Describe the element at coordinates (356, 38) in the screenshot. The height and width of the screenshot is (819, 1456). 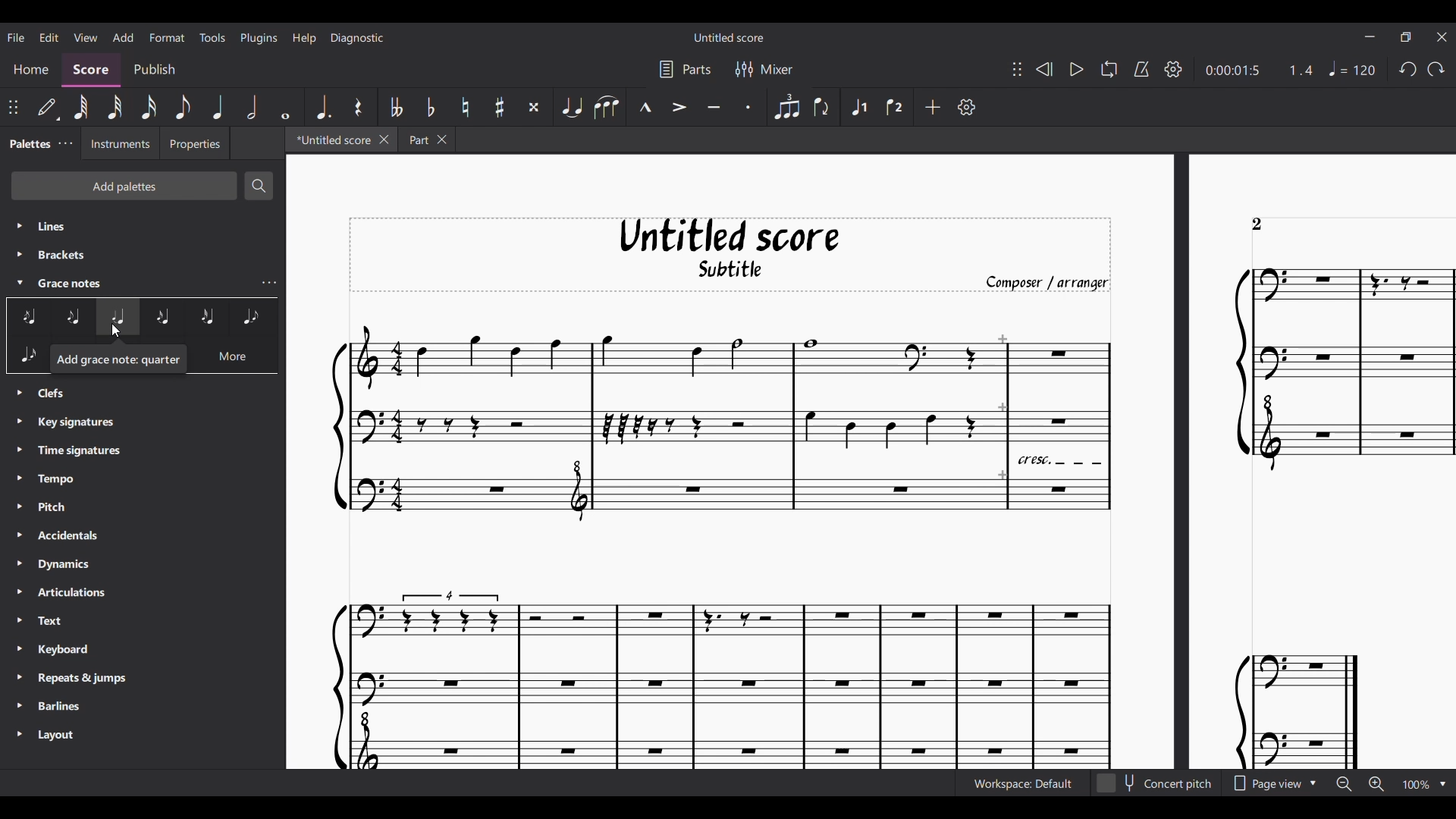
I see `Diagnostic menu` at that location.